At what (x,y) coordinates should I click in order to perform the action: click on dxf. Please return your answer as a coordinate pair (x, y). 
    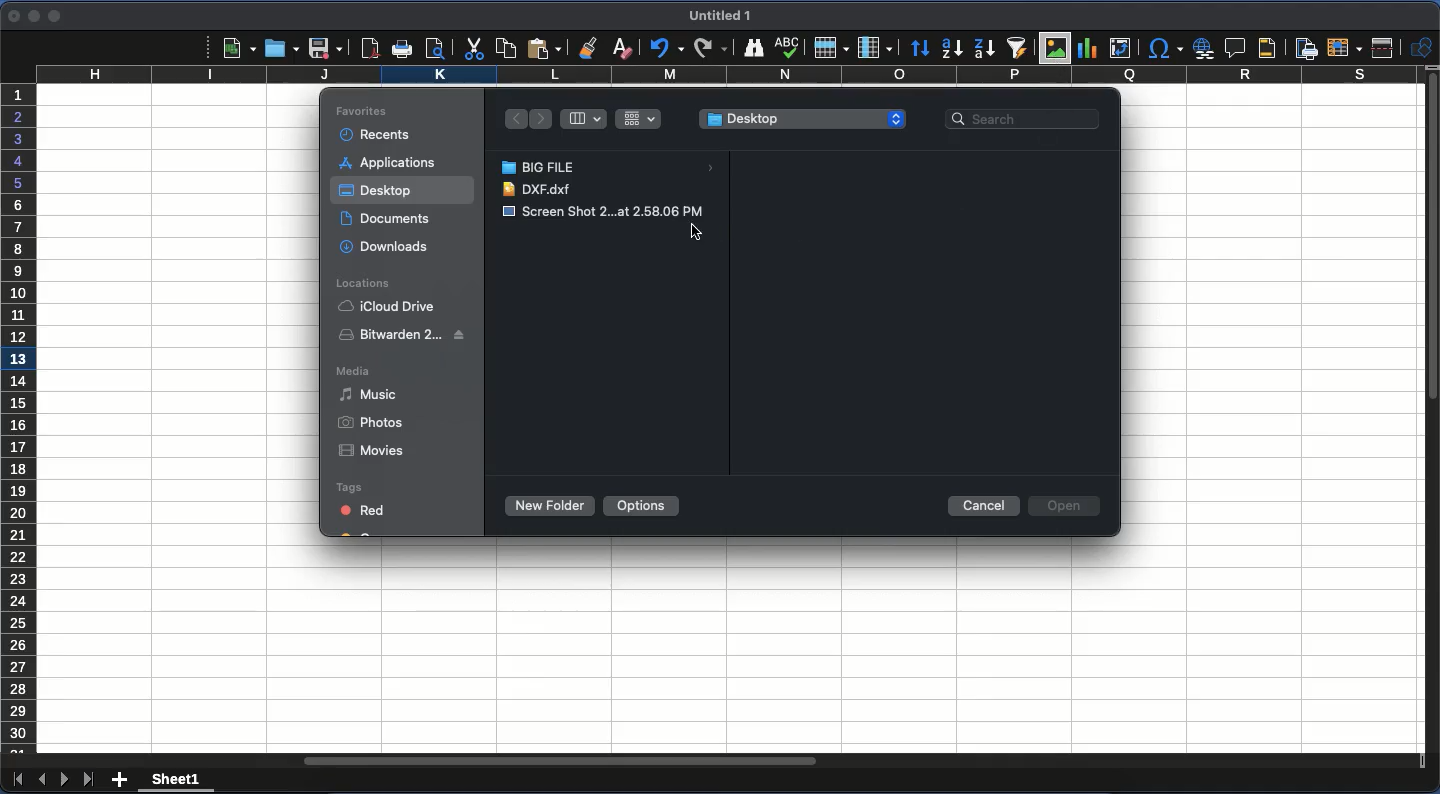
    Looking at the image, I should click on (541, 190).